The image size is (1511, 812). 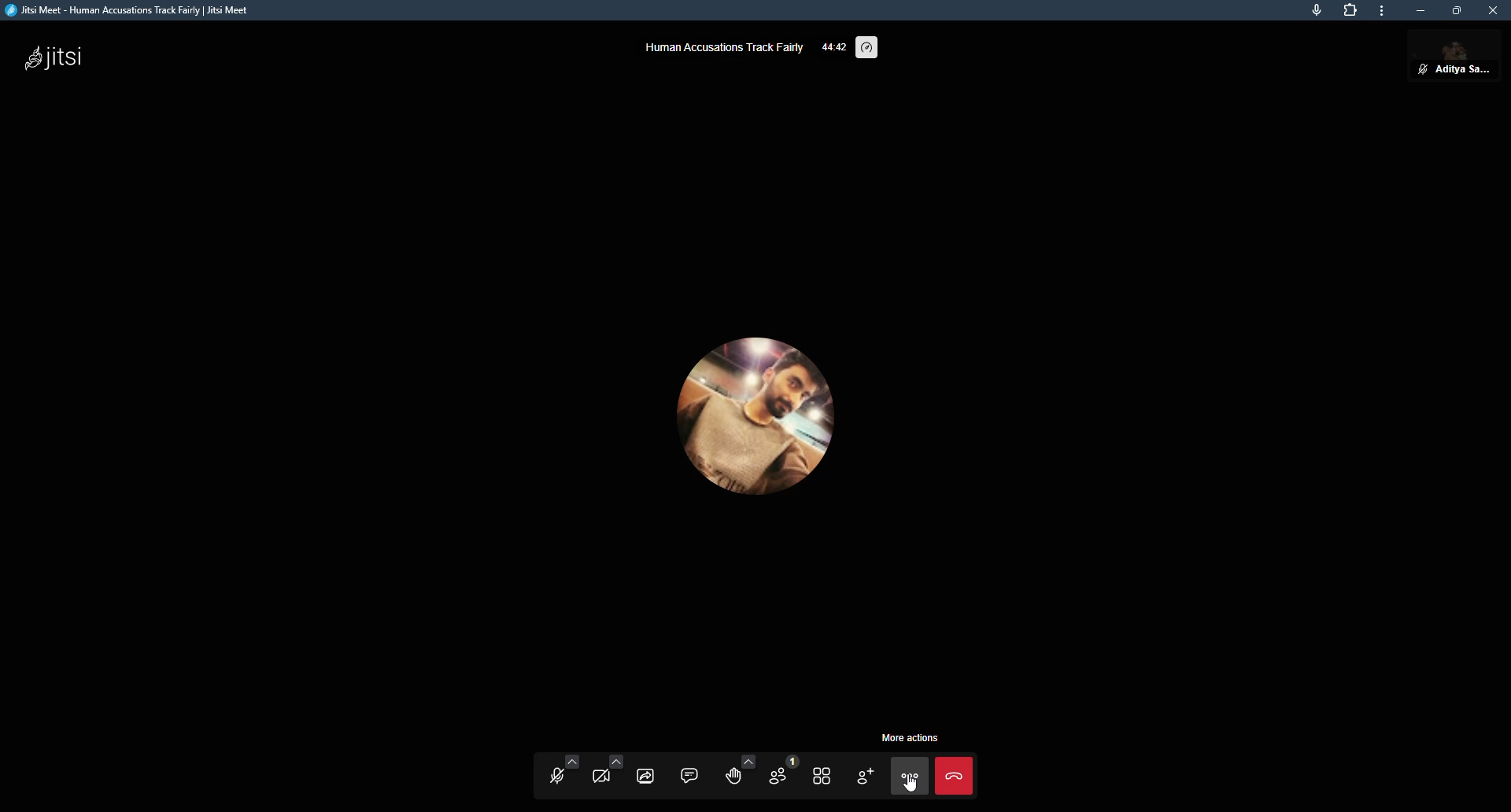 What do you see at coordinates (57, 58) in the screenshot?
I see `jitsi` at bounding box center [57, 58].